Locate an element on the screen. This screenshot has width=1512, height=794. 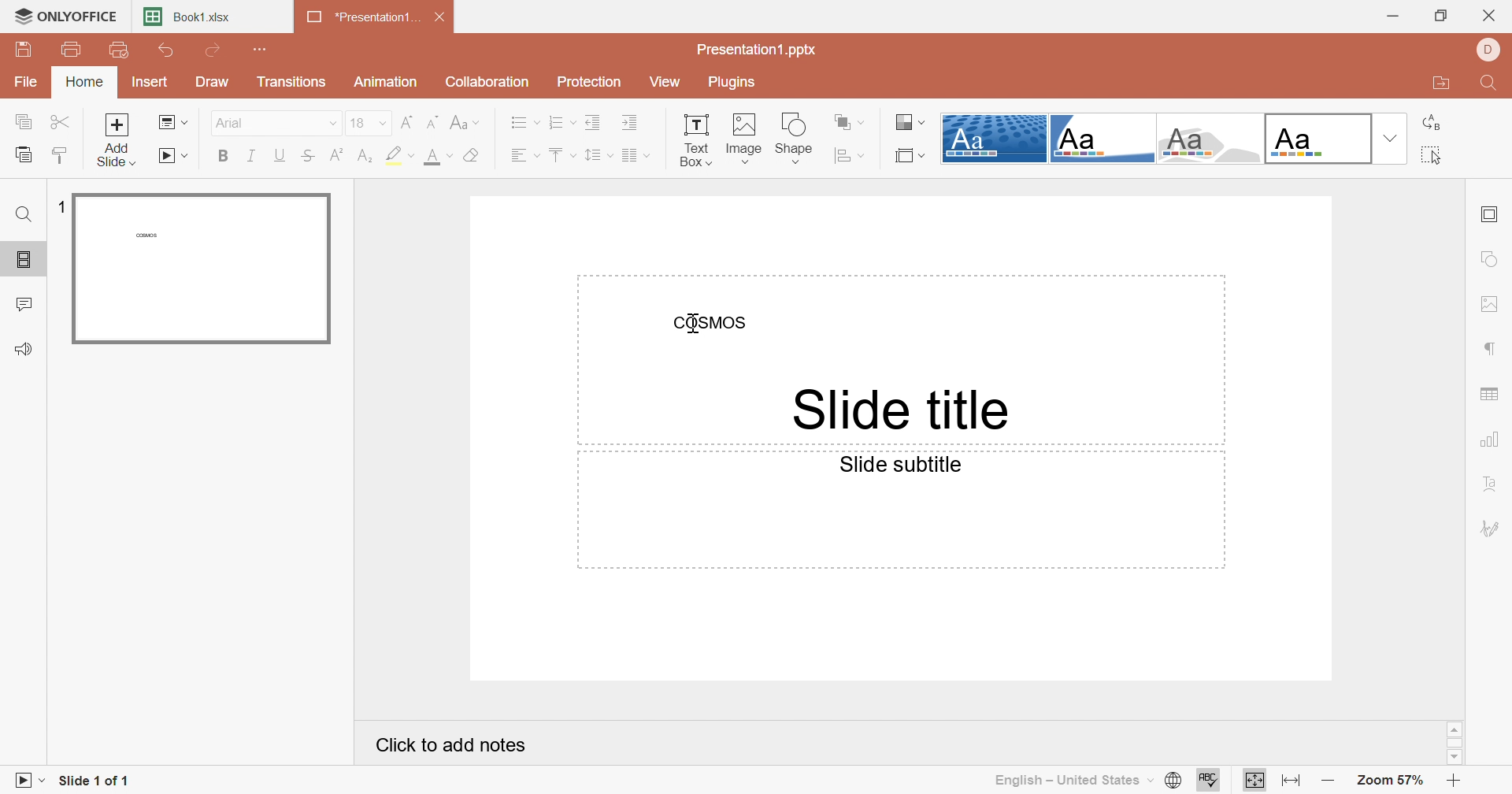
Paste is located at coordinates (17, 155).